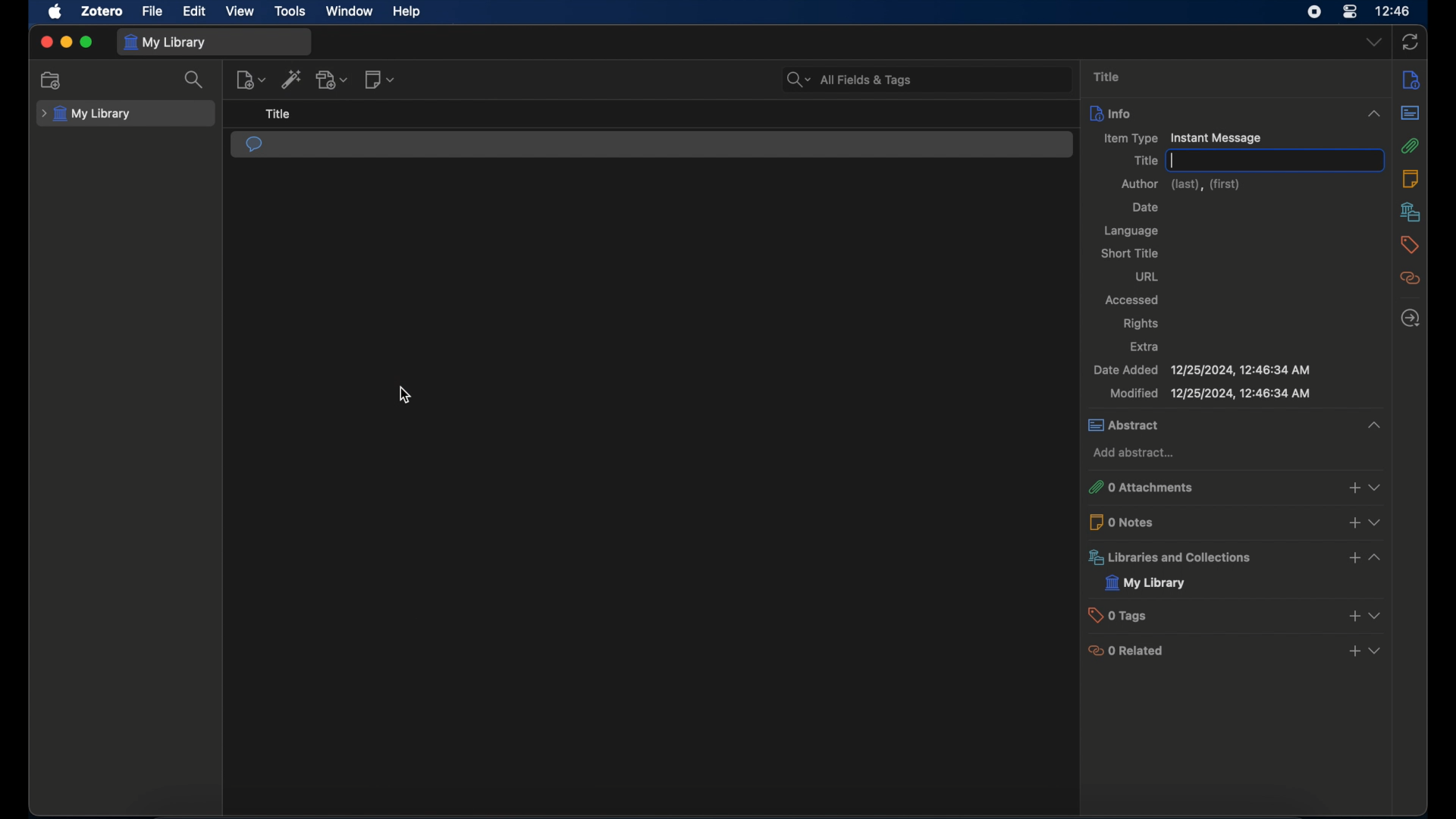 The image size is (1456, 819). What do you see at coordinates (292, 80) in the screenshot?
I see `add item by identifier` at bounding box center [292, 80].